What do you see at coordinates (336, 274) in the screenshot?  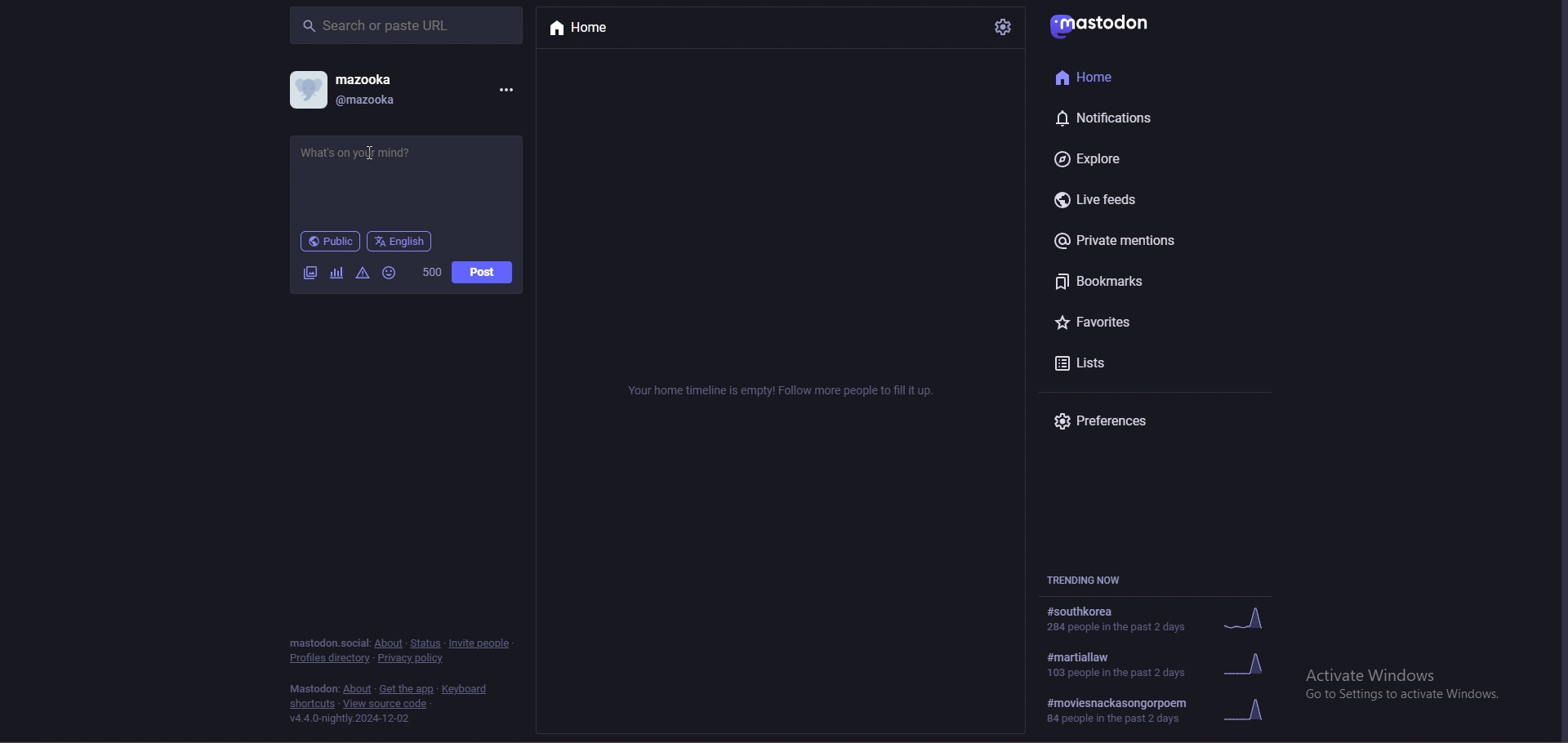 I see `cafier they fear` at bounding box center [336, 274].